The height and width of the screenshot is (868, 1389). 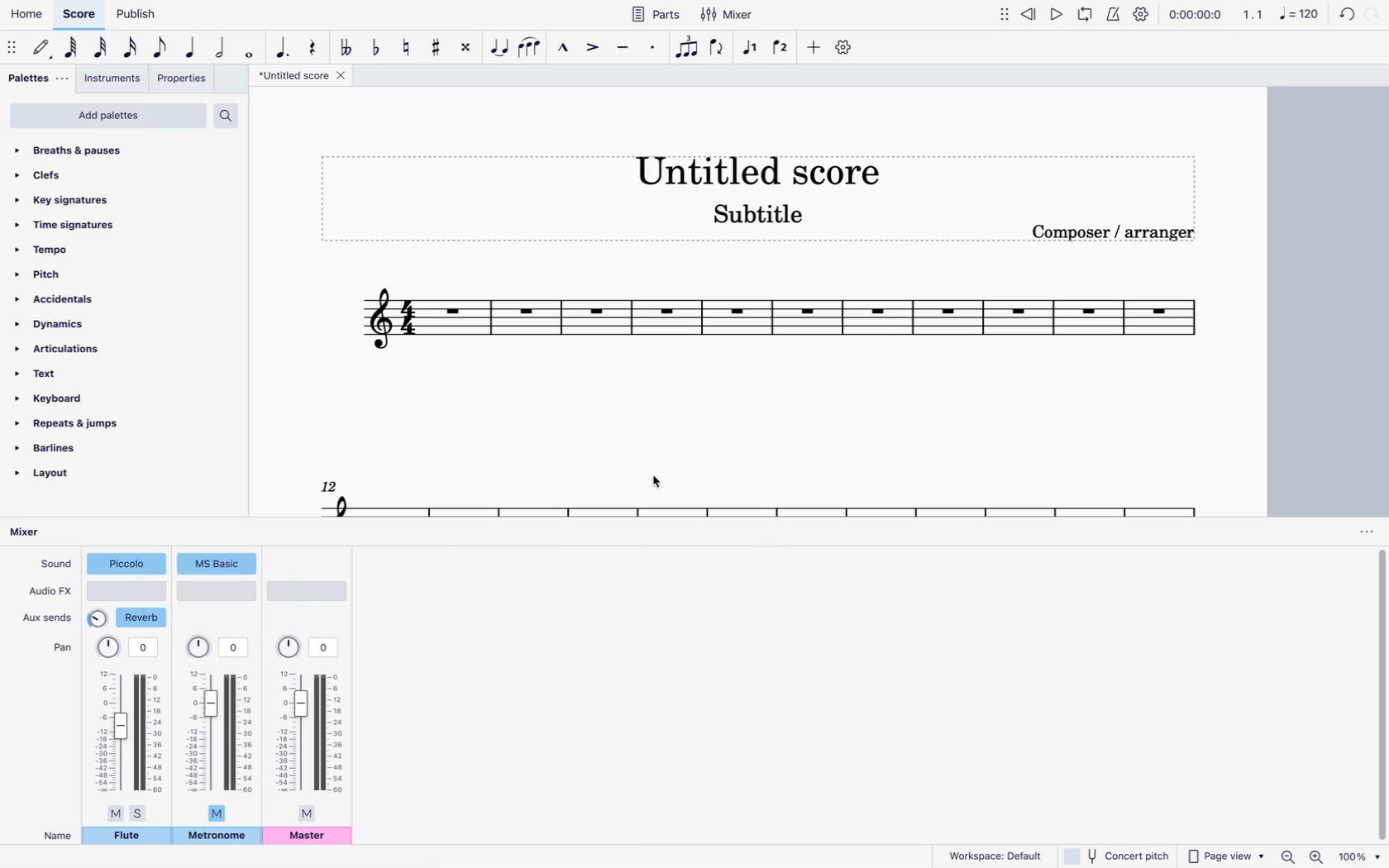 I want to click on toggle sharp, so click(x=439, y=45).